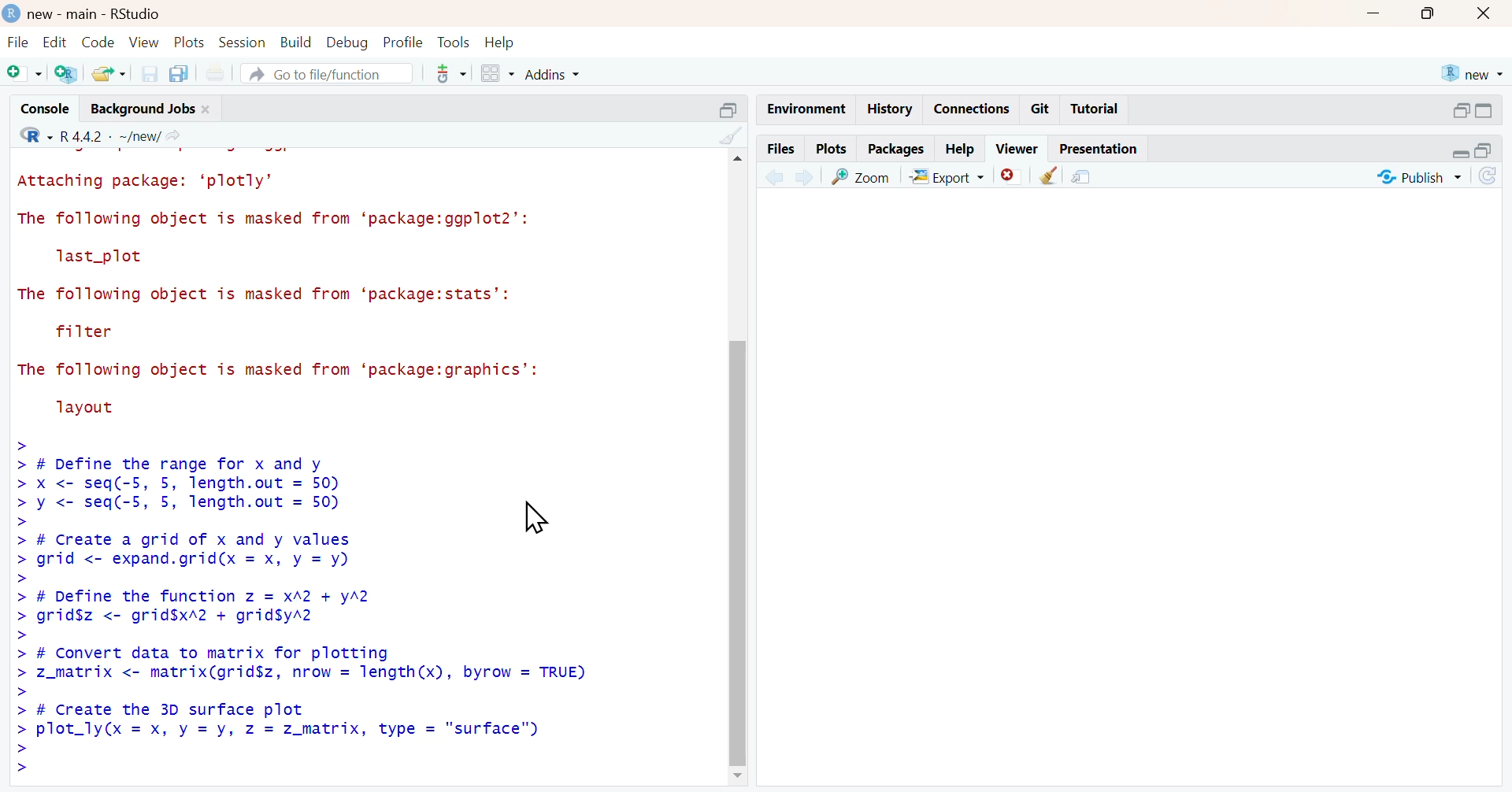 This screenshot has width=1512, height=792. What do you see at coordinates (37, 105) in the screenshot?
I see `console` at bounding box center [37, 105].